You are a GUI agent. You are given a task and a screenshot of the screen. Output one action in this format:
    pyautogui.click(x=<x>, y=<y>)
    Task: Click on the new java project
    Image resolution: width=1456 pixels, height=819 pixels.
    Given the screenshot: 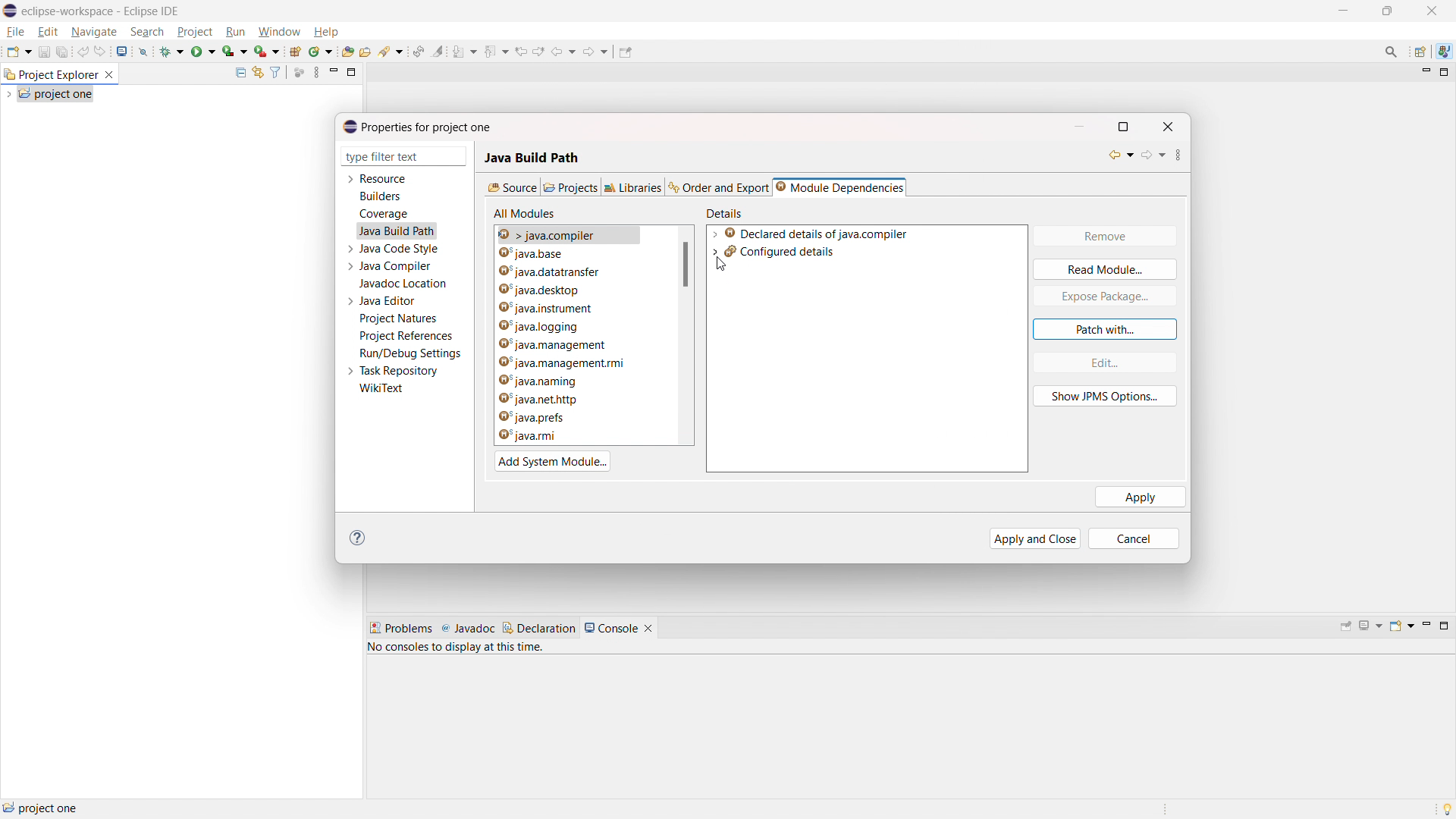 What is the action you would take?
    pyautogui.click(x=294, y=52)
    